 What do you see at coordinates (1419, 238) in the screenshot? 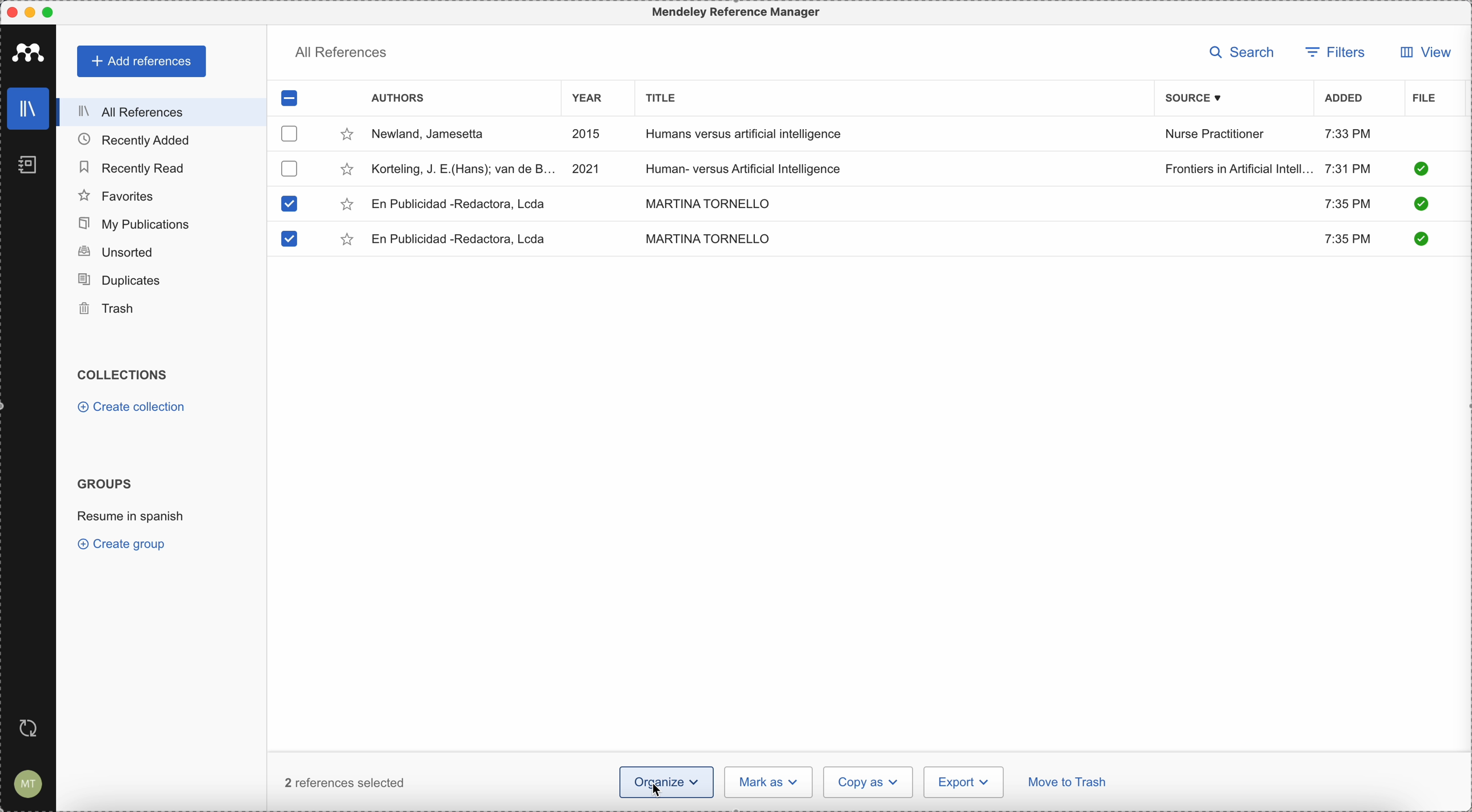
I see `check it` at bounding box center [1419, 238].